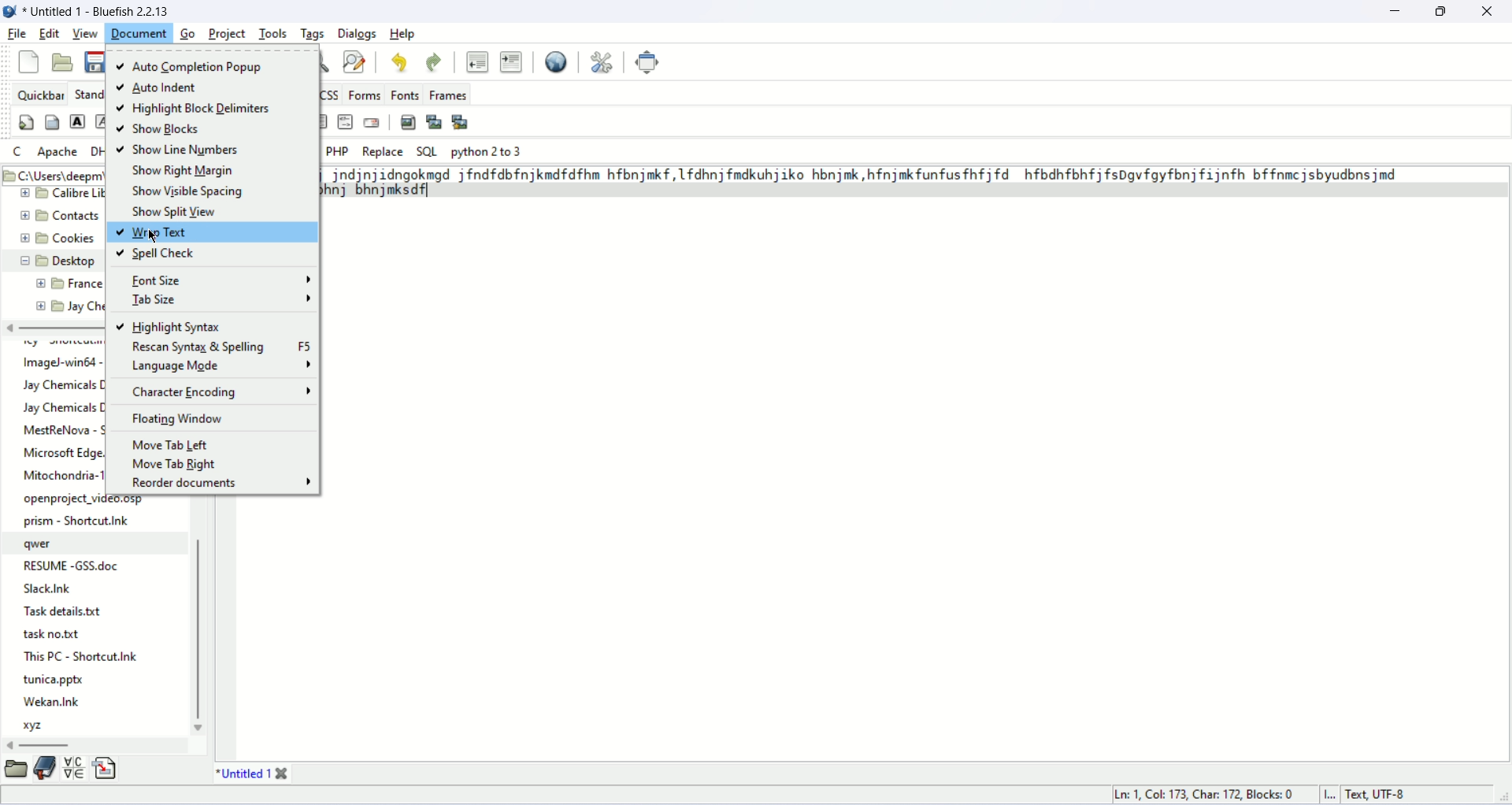 The image size is (1512, 805). I want to click on wrap text, so click(213, 232).